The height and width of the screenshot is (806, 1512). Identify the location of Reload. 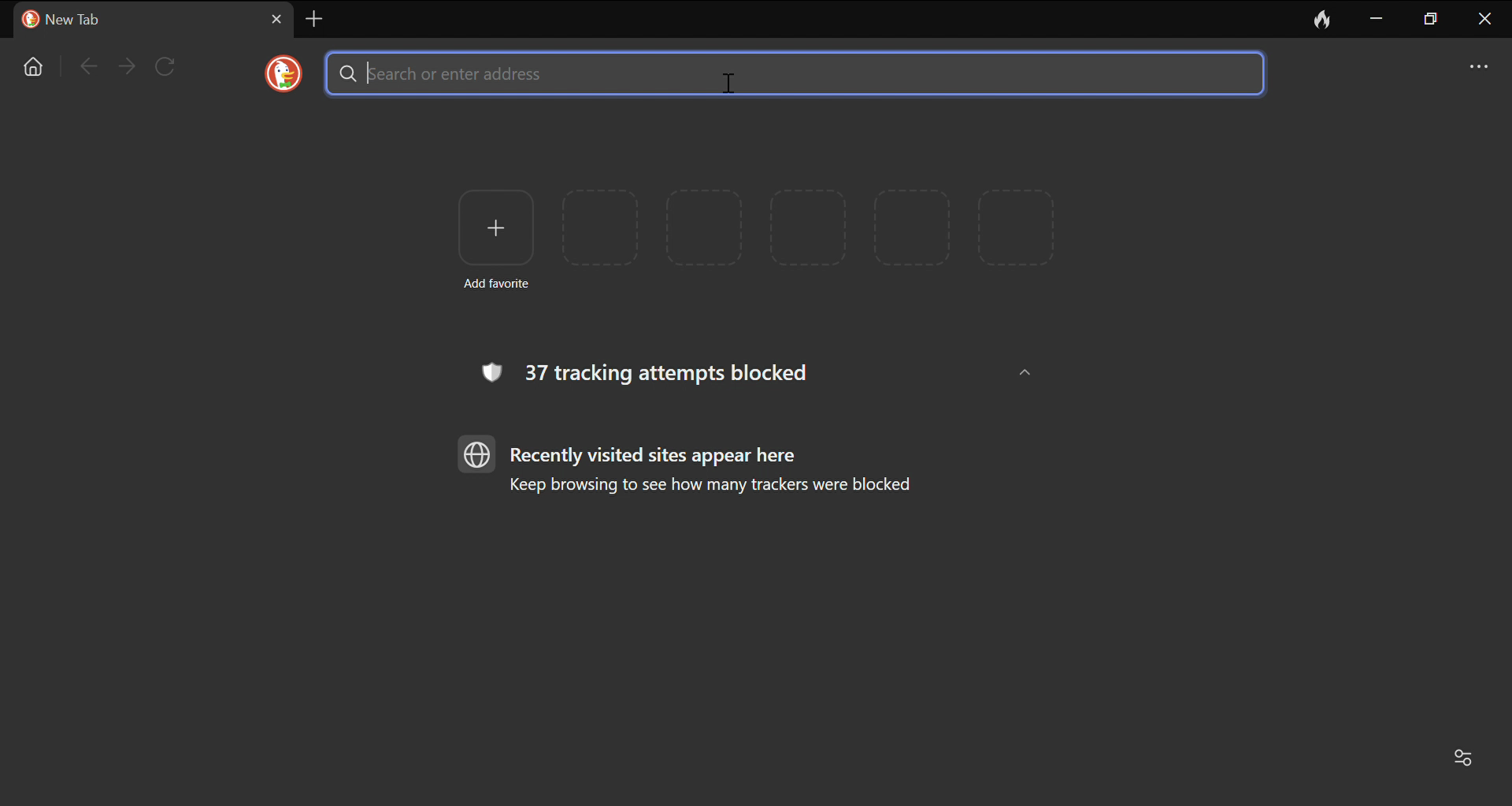
(166, 65).